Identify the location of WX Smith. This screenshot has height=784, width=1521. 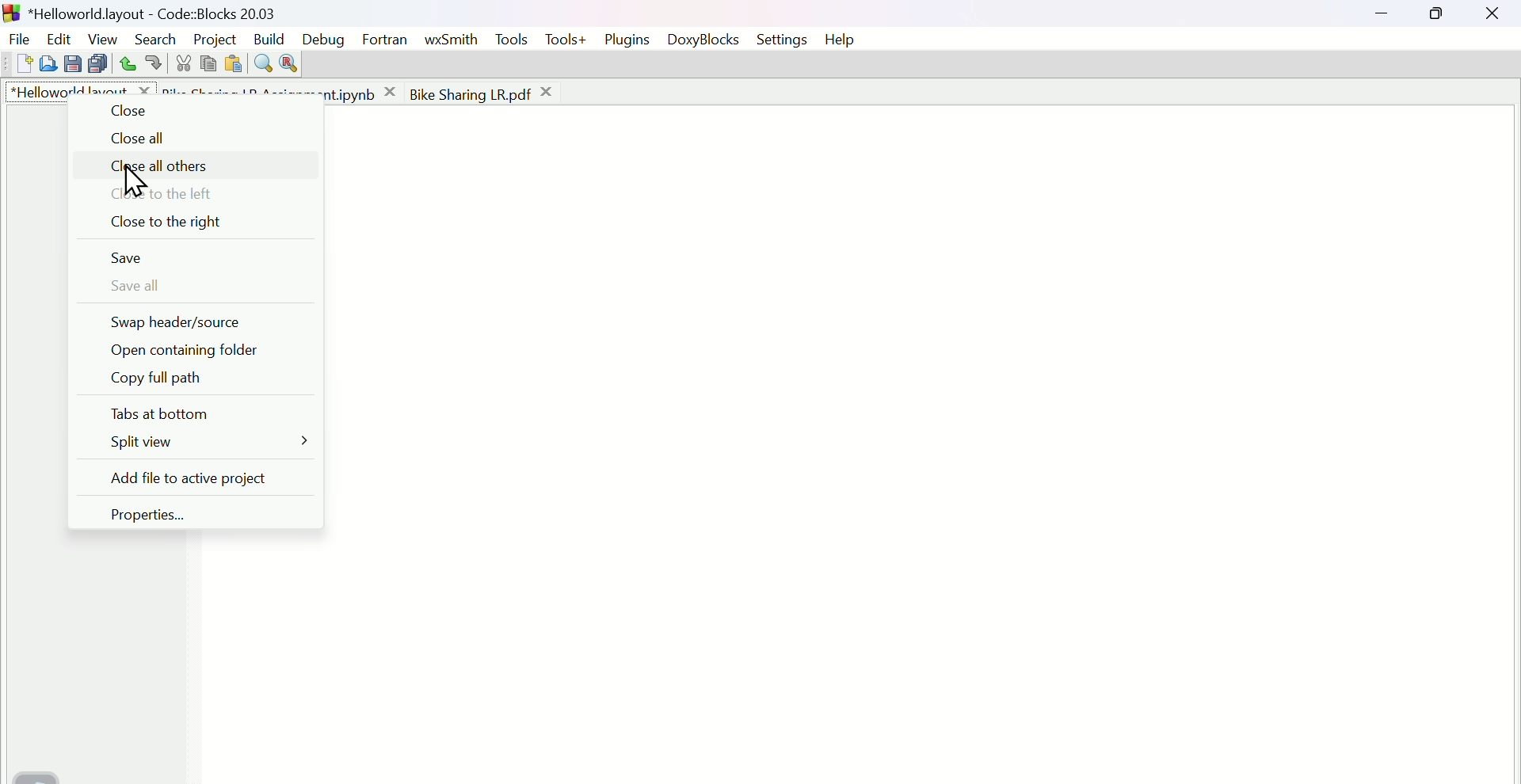
(451, 37).